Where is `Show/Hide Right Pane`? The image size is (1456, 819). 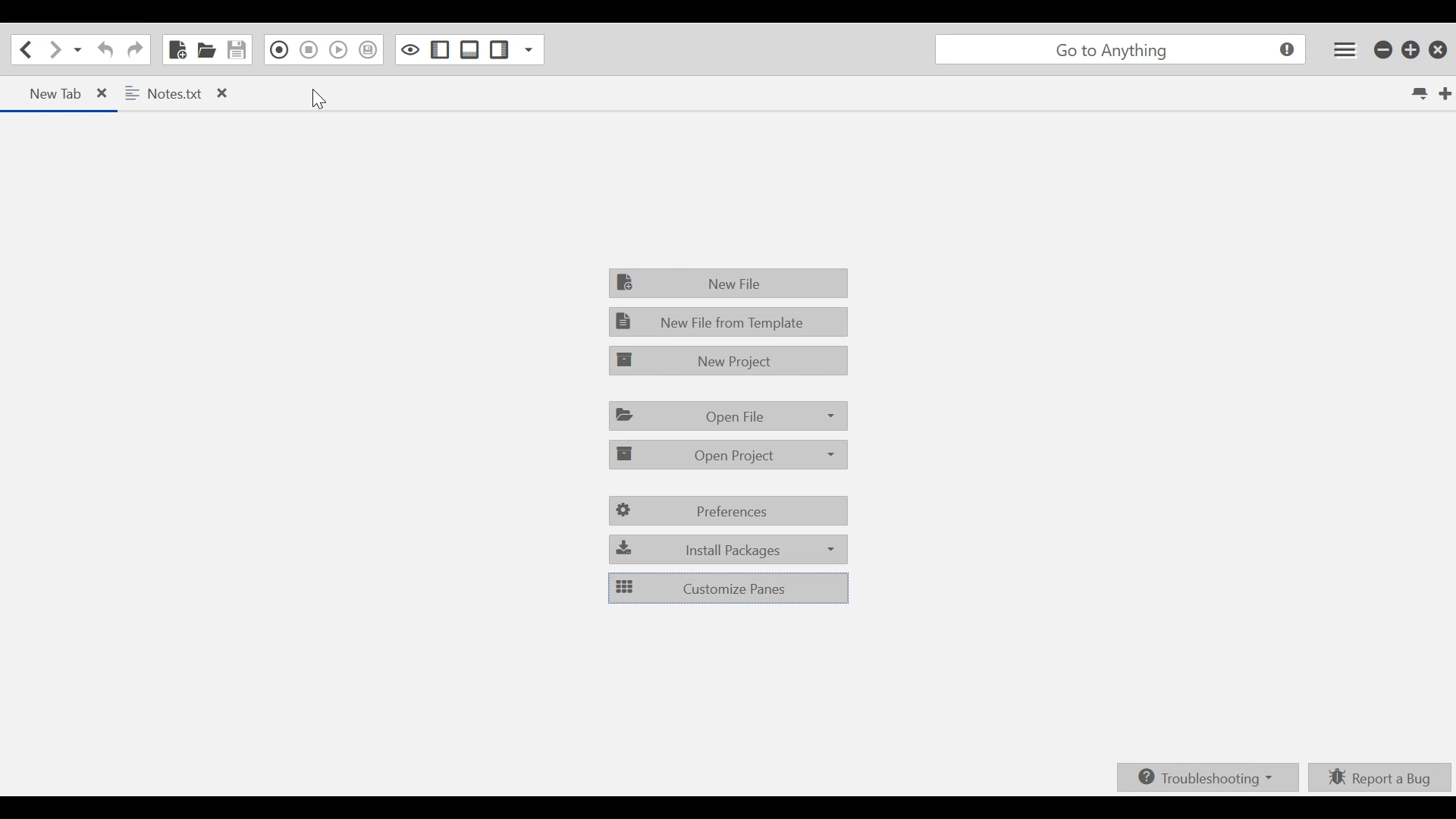
Show/Hide Right Pane is located at coordinates (500, 50).